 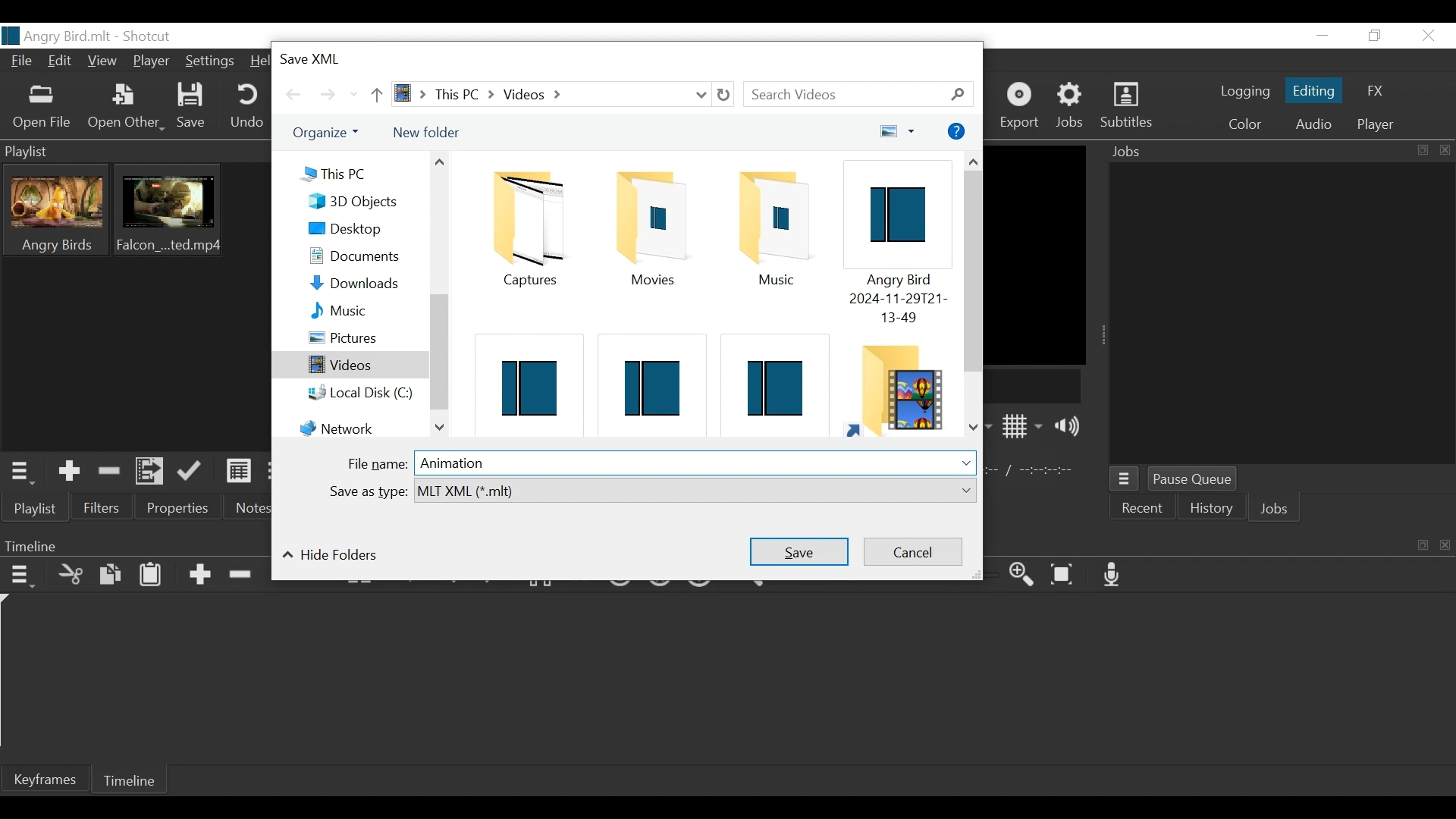 I want to click on Shotcut File, so click(x=893, y=246).